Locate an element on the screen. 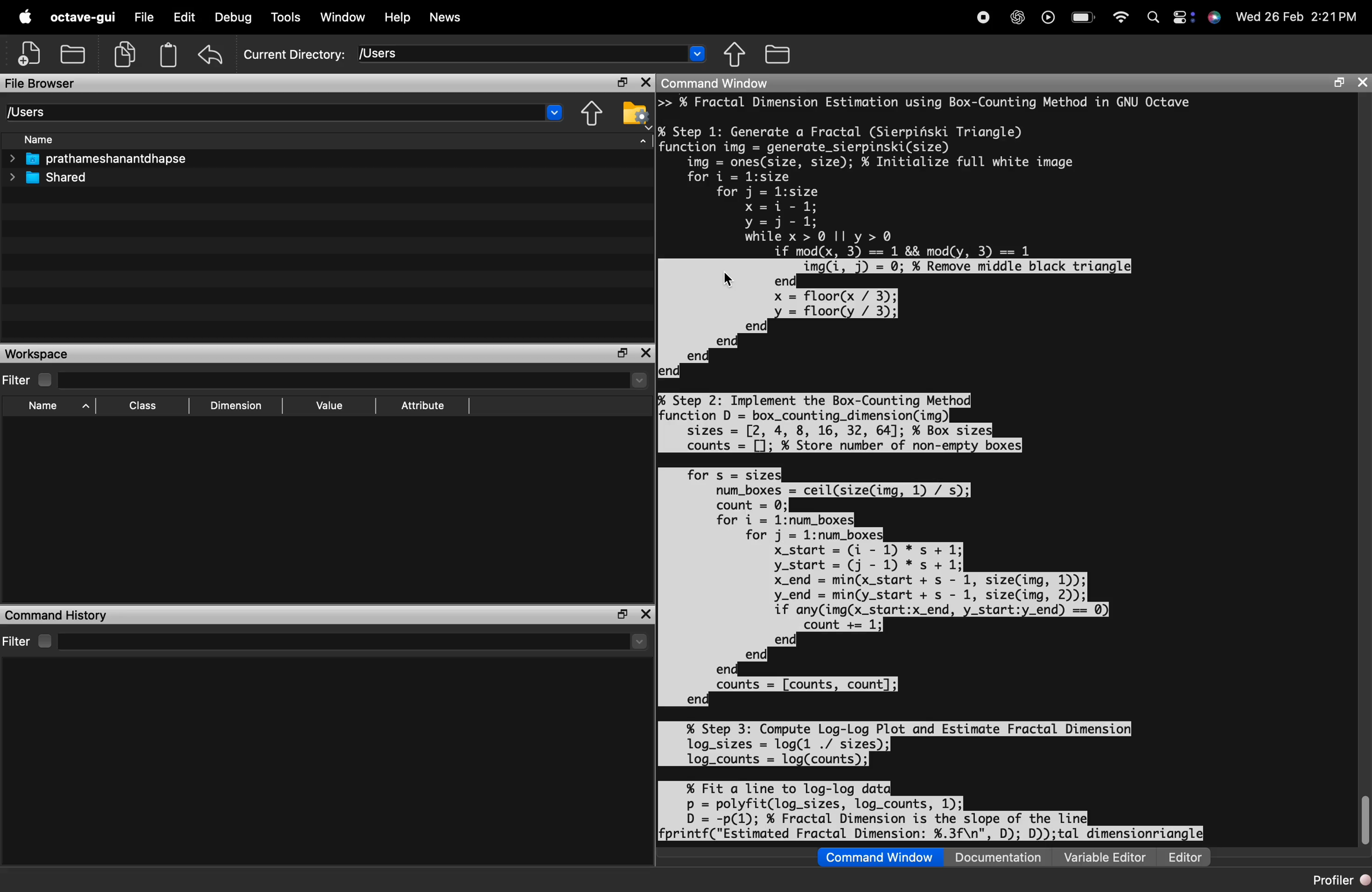  code to compute log-log plot and estimate fractal dimension is located at coordinates (971, 780).